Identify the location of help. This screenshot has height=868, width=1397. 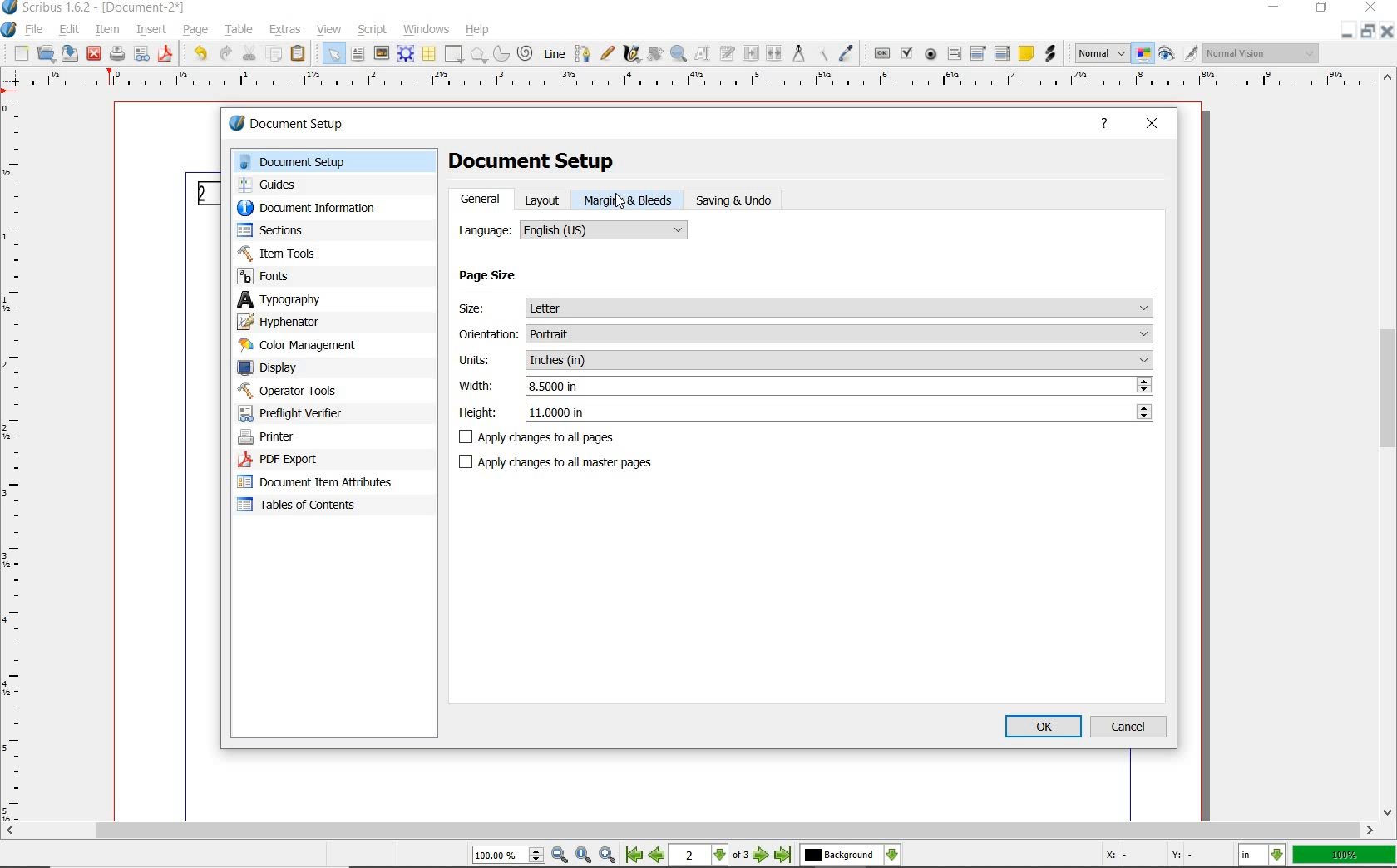
(1108, 124).